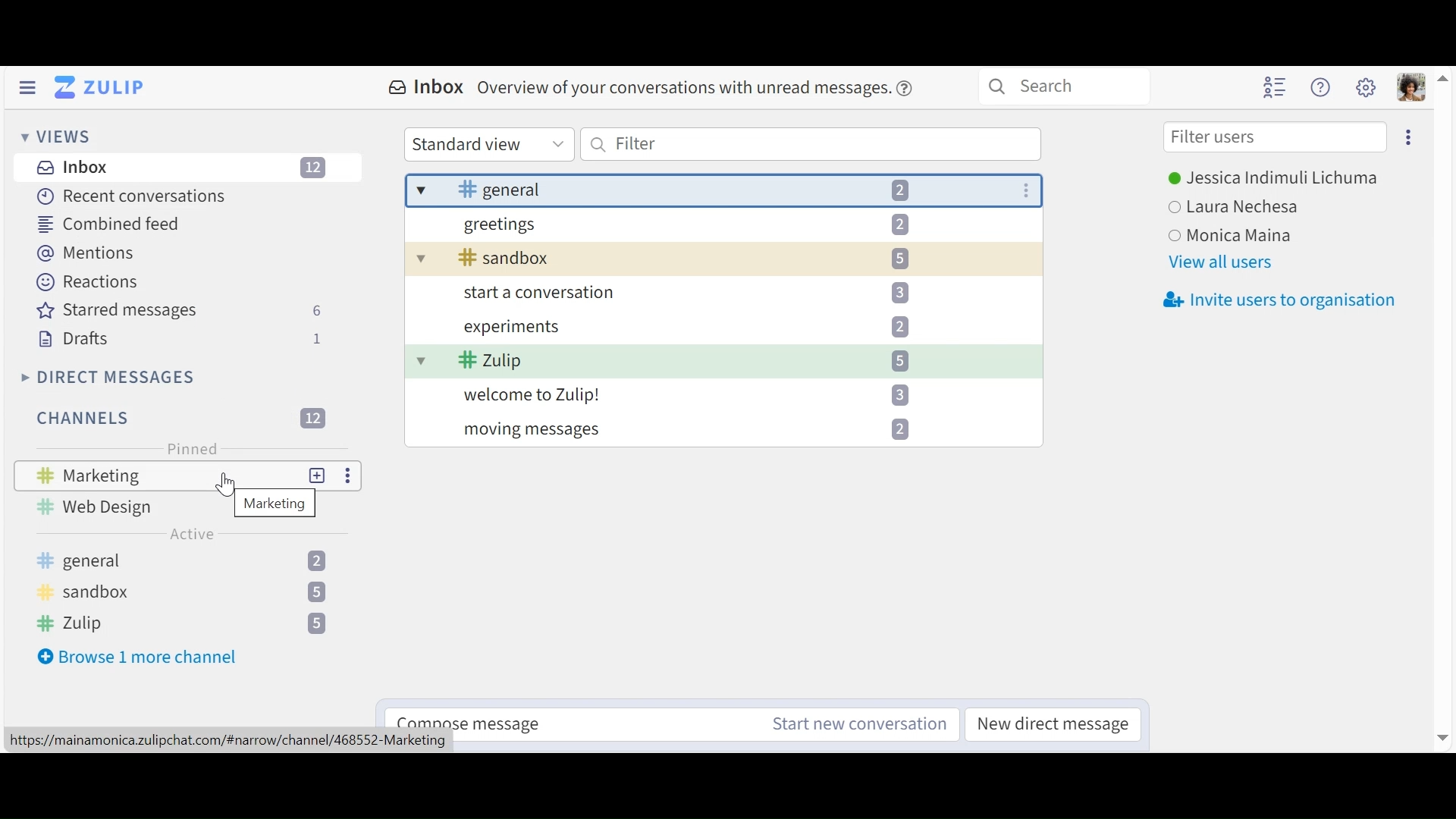 Image resolution: width=1456 pixels, height=819 pixels. What do you see at coordinates (101, 88) in the screenshot?
I see `Go to Home View (inbox)` at bounding box center [101, 88].